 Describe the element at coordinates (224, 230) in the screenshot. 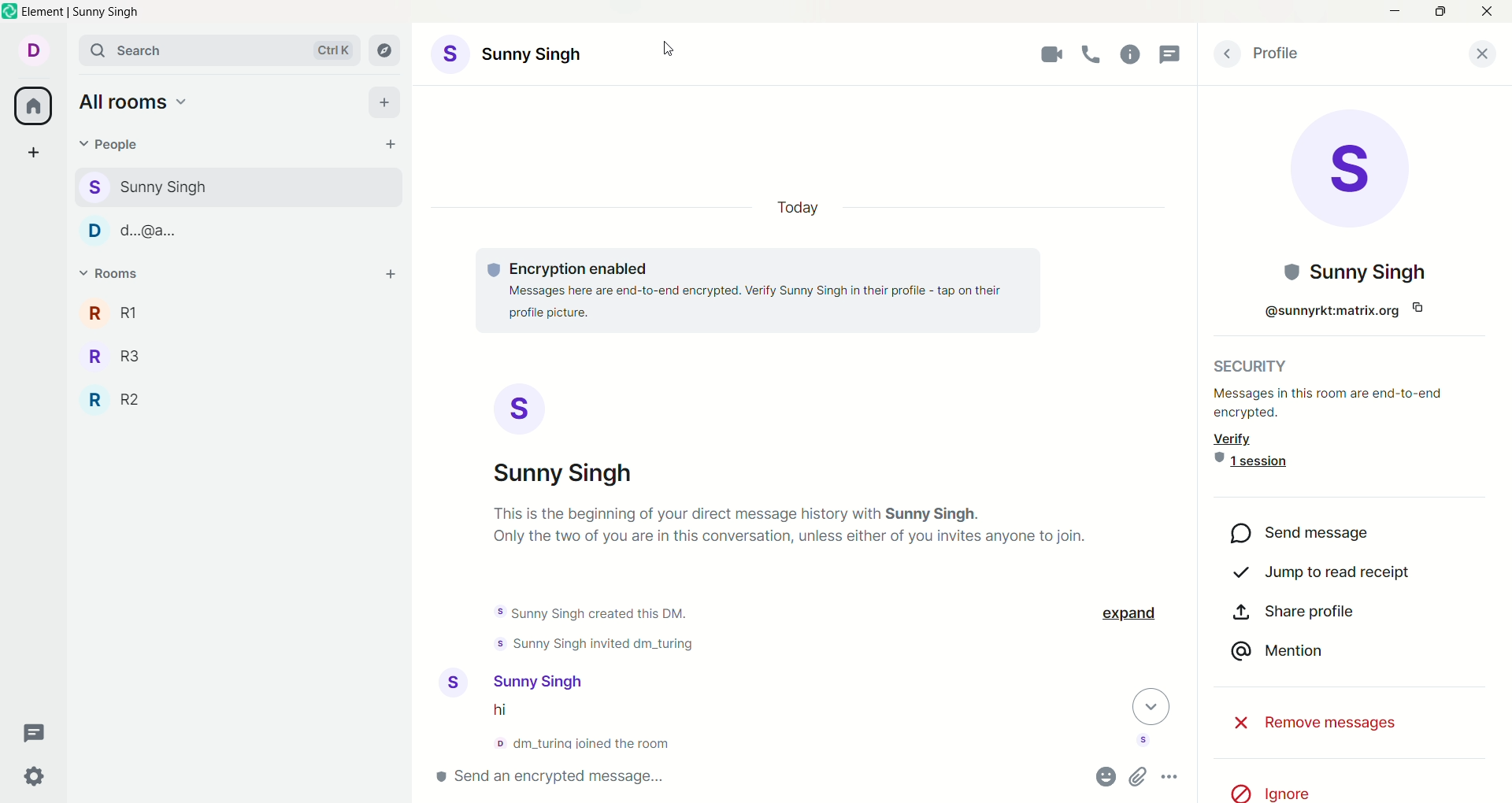

I see `people` at that location.